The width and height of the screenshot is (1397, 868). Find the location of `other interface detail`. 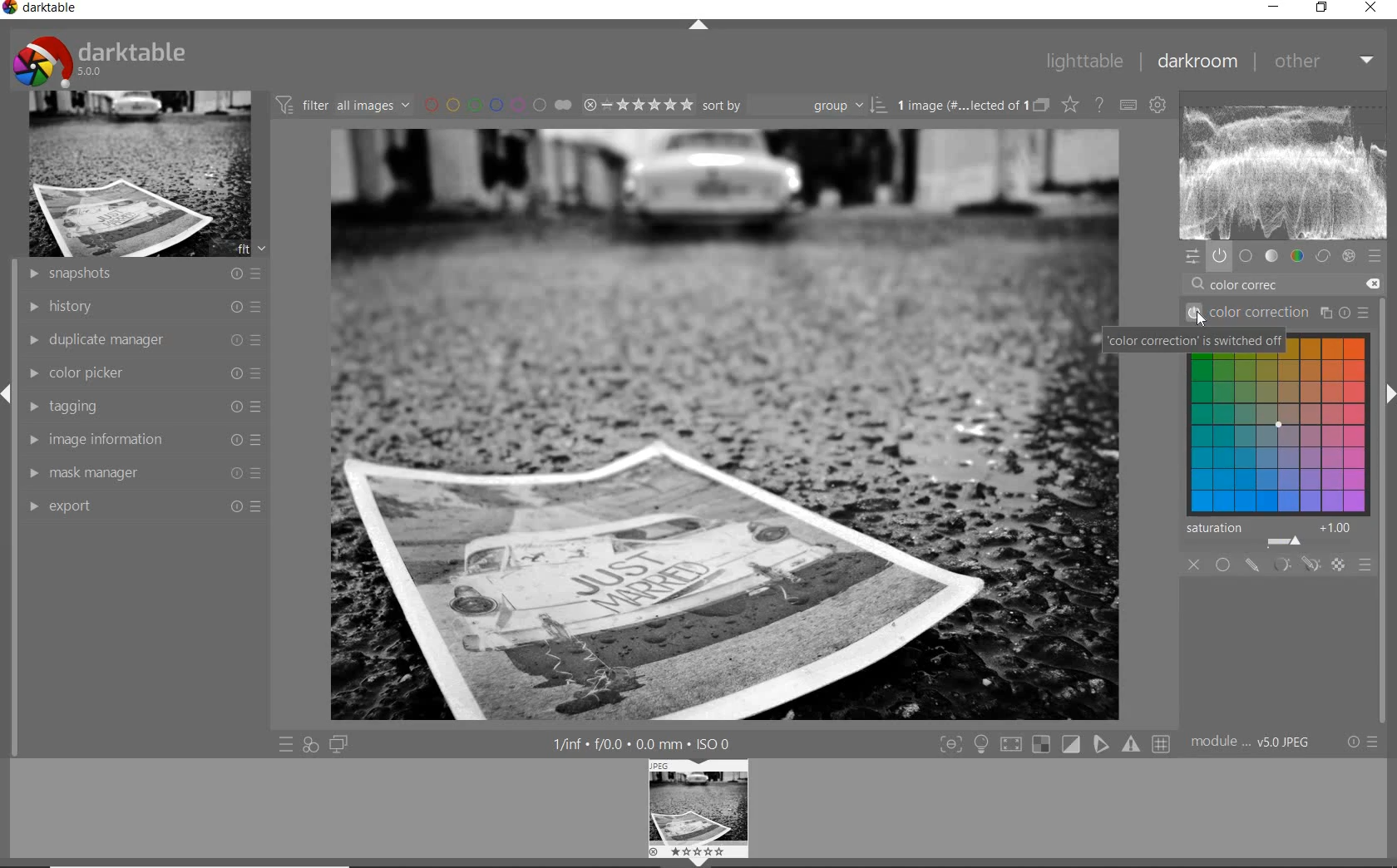

other interface detail is located at coordinates (642, 744).